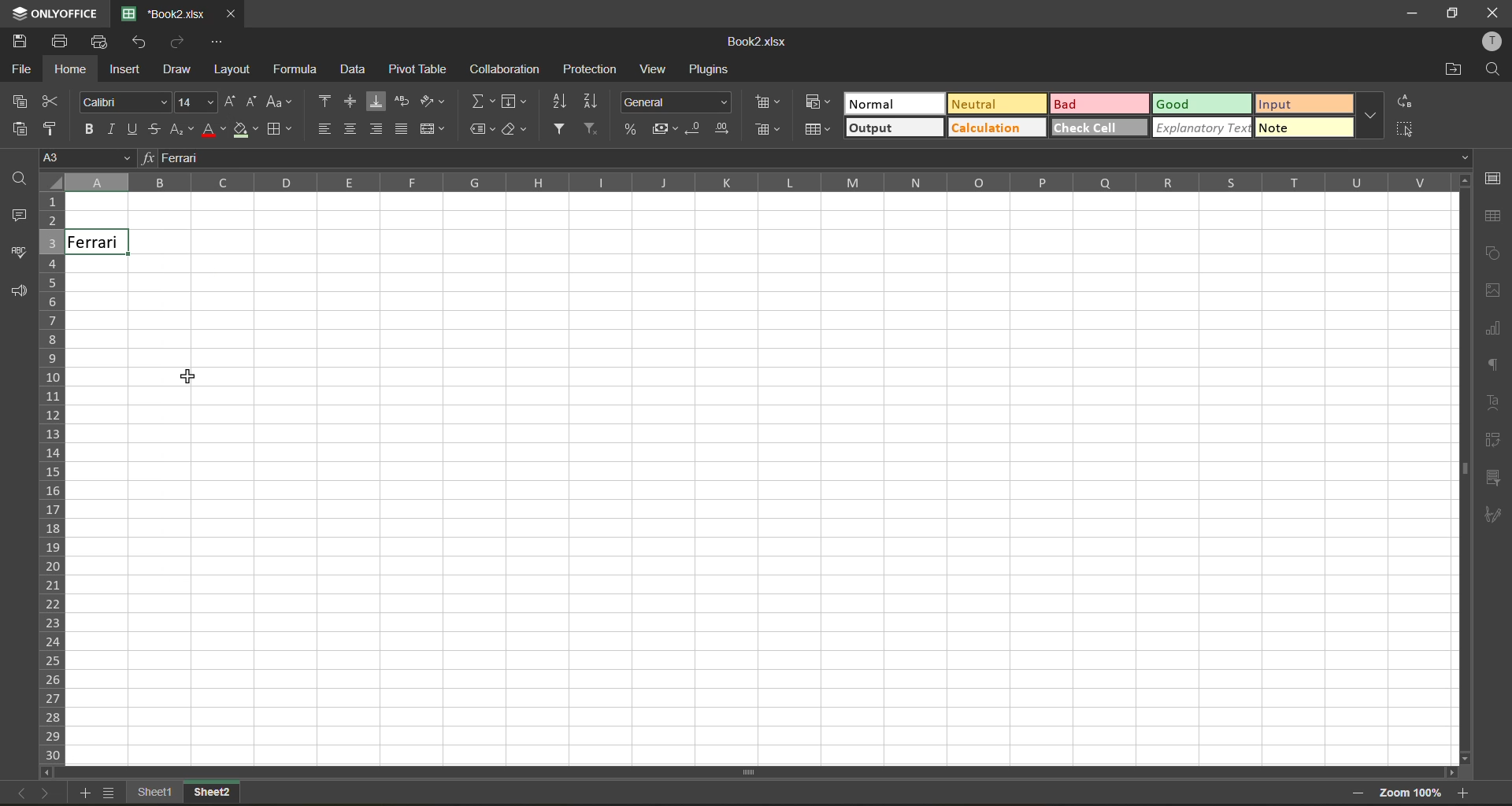 The image size is (1512, 806). I want to click on zoom factor, so click(1410, 793).